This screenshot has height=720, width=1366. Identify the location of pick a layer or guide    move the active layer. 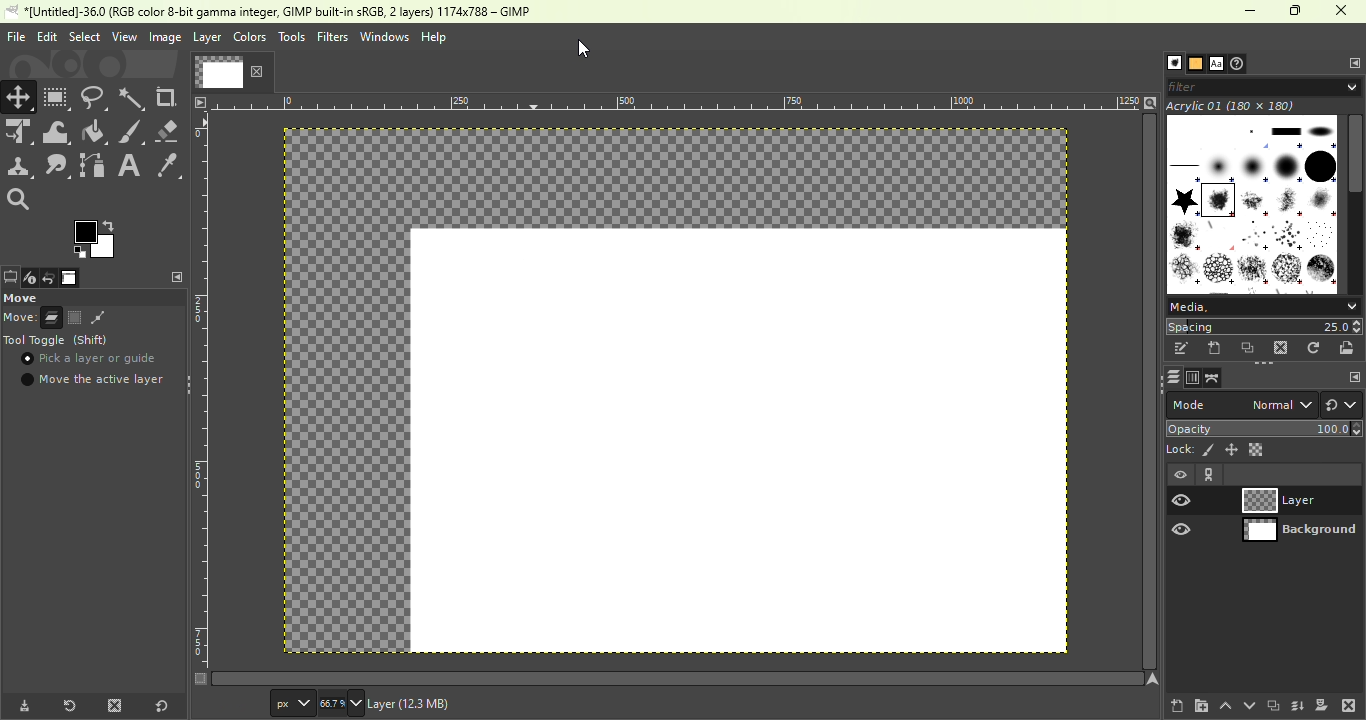
(93, 371).